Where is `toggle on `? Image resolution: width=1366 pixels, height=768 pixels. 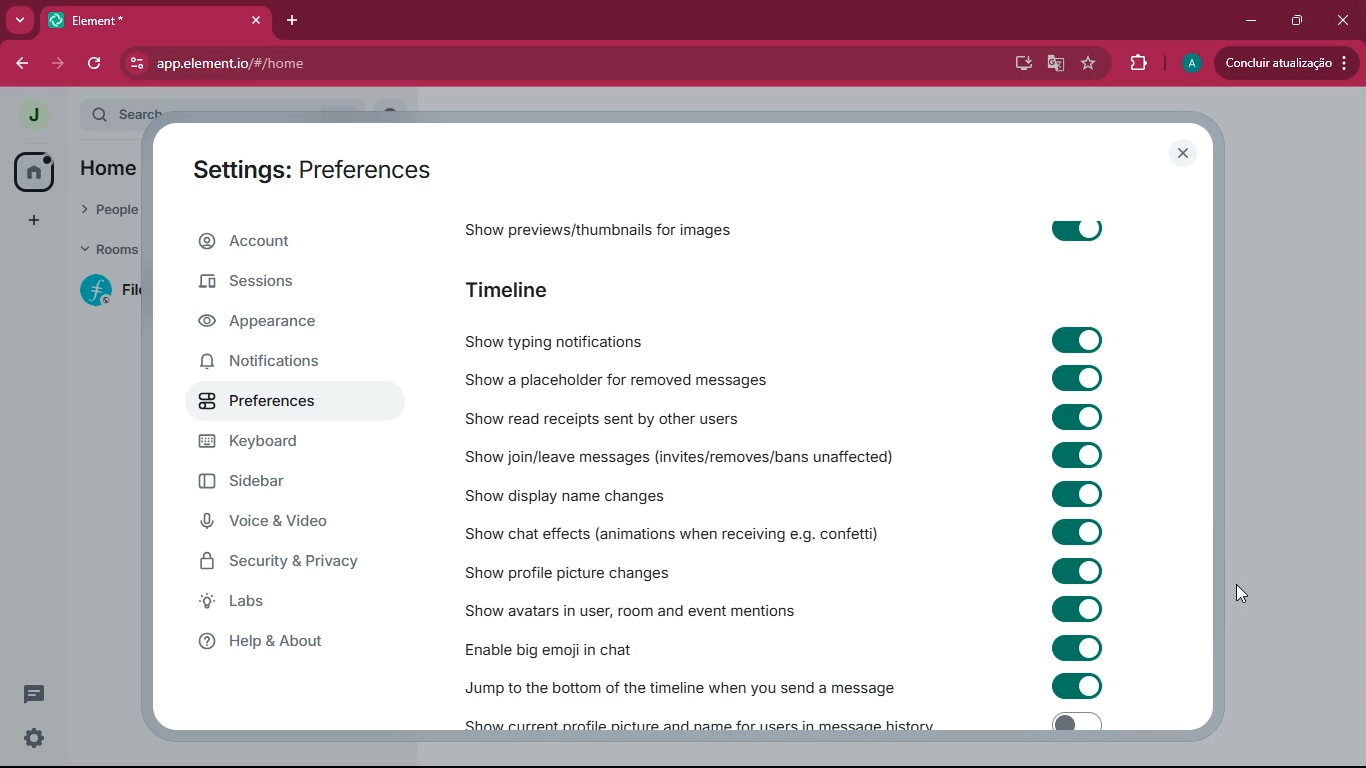 toggle on  is located at coordinates (1073, 376).